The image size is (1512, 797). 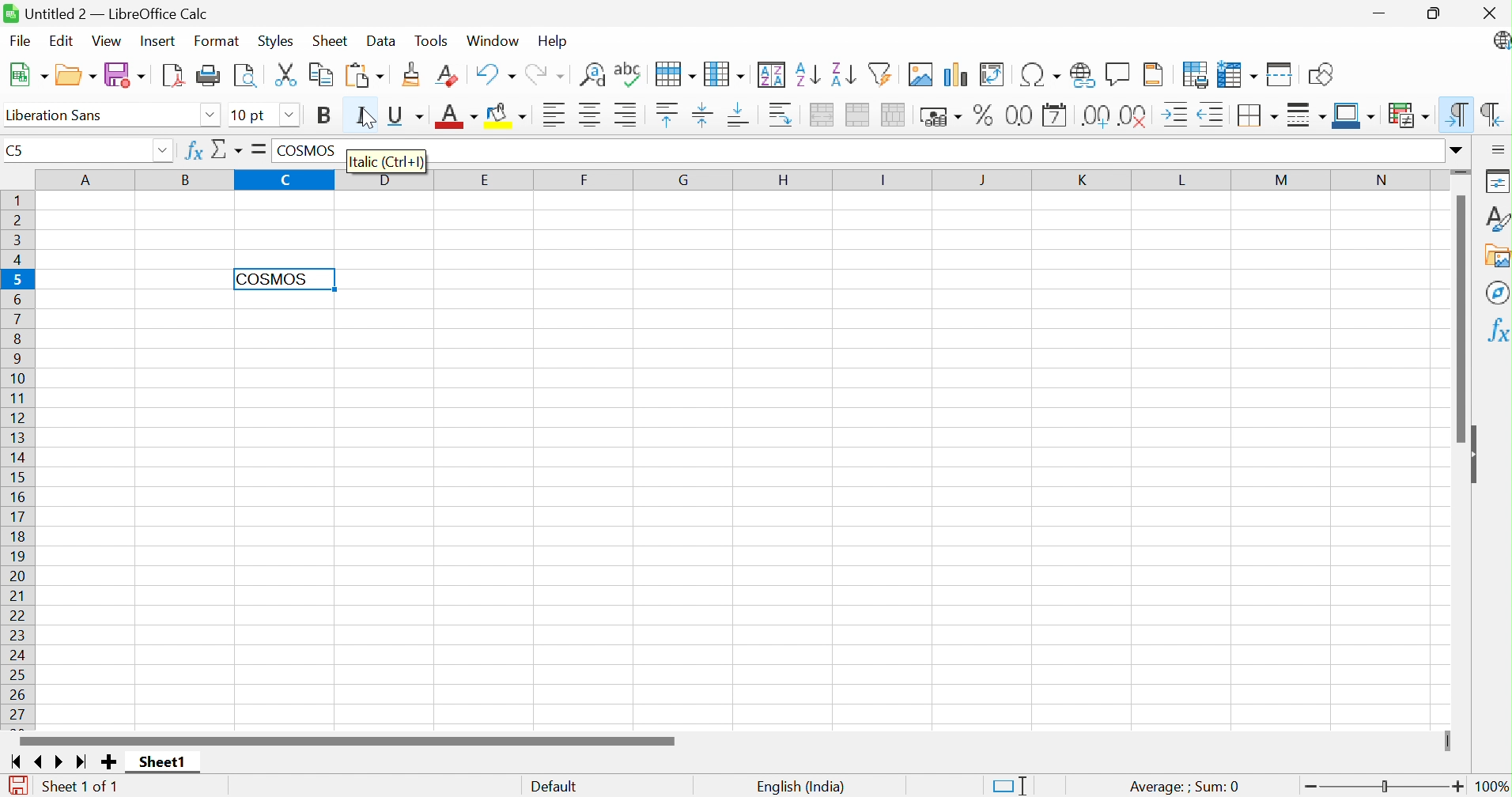 I want to click on Align top, so click(x=668, y=115).